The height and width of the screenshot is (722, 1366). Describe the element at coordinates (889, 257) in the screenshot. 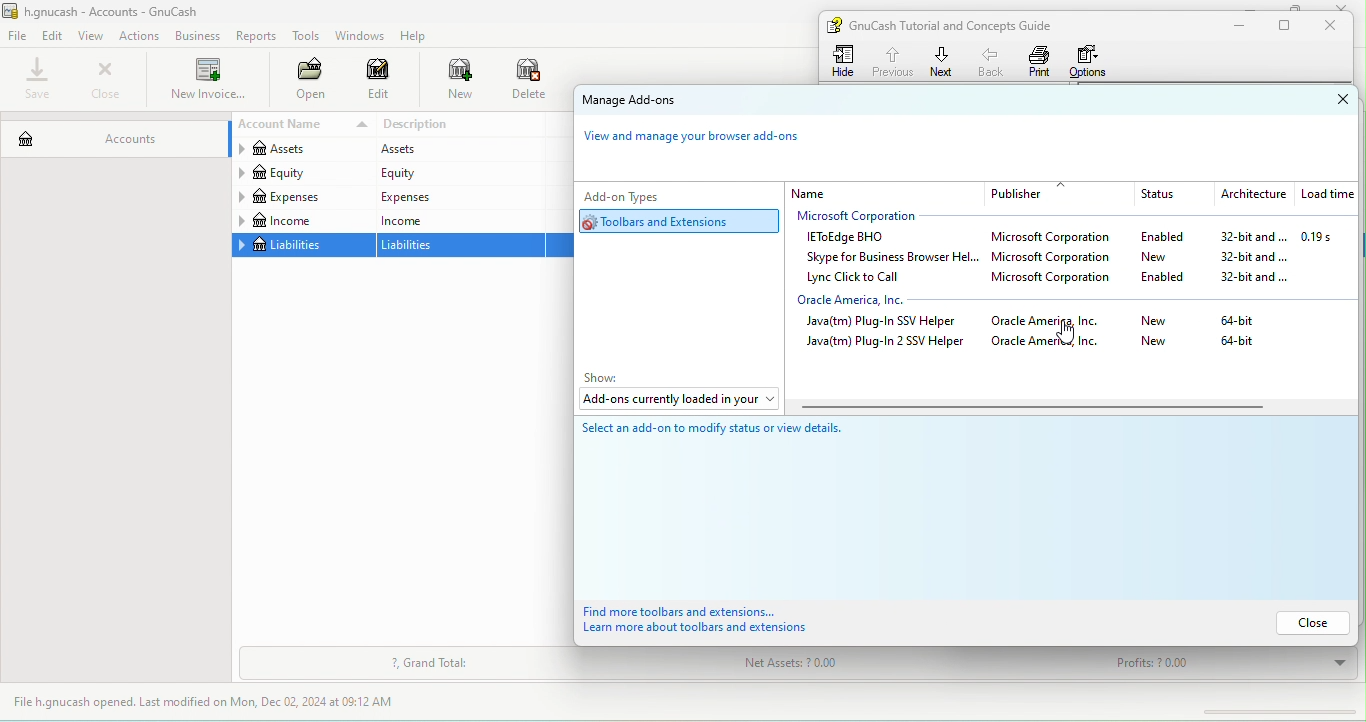

I see `skype for business browser hel` at that location.